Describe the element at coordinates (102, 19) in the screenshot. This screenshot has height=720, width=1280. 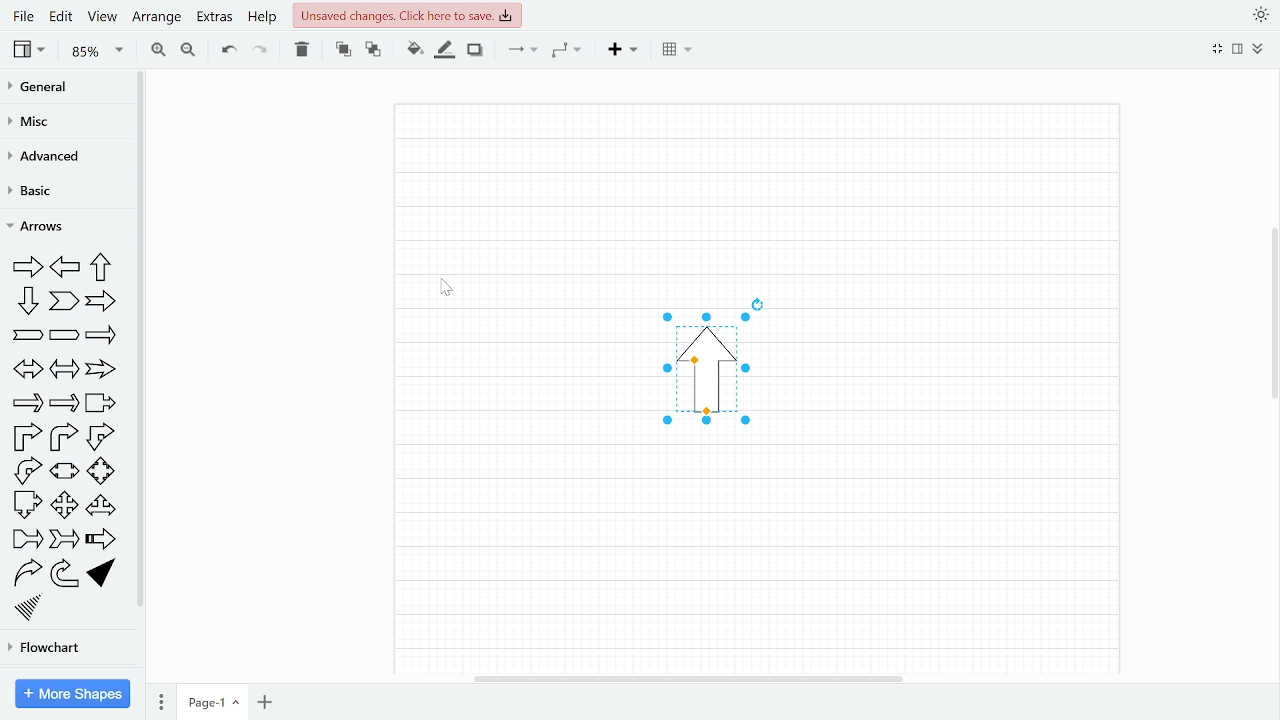
I see `View` at that location.